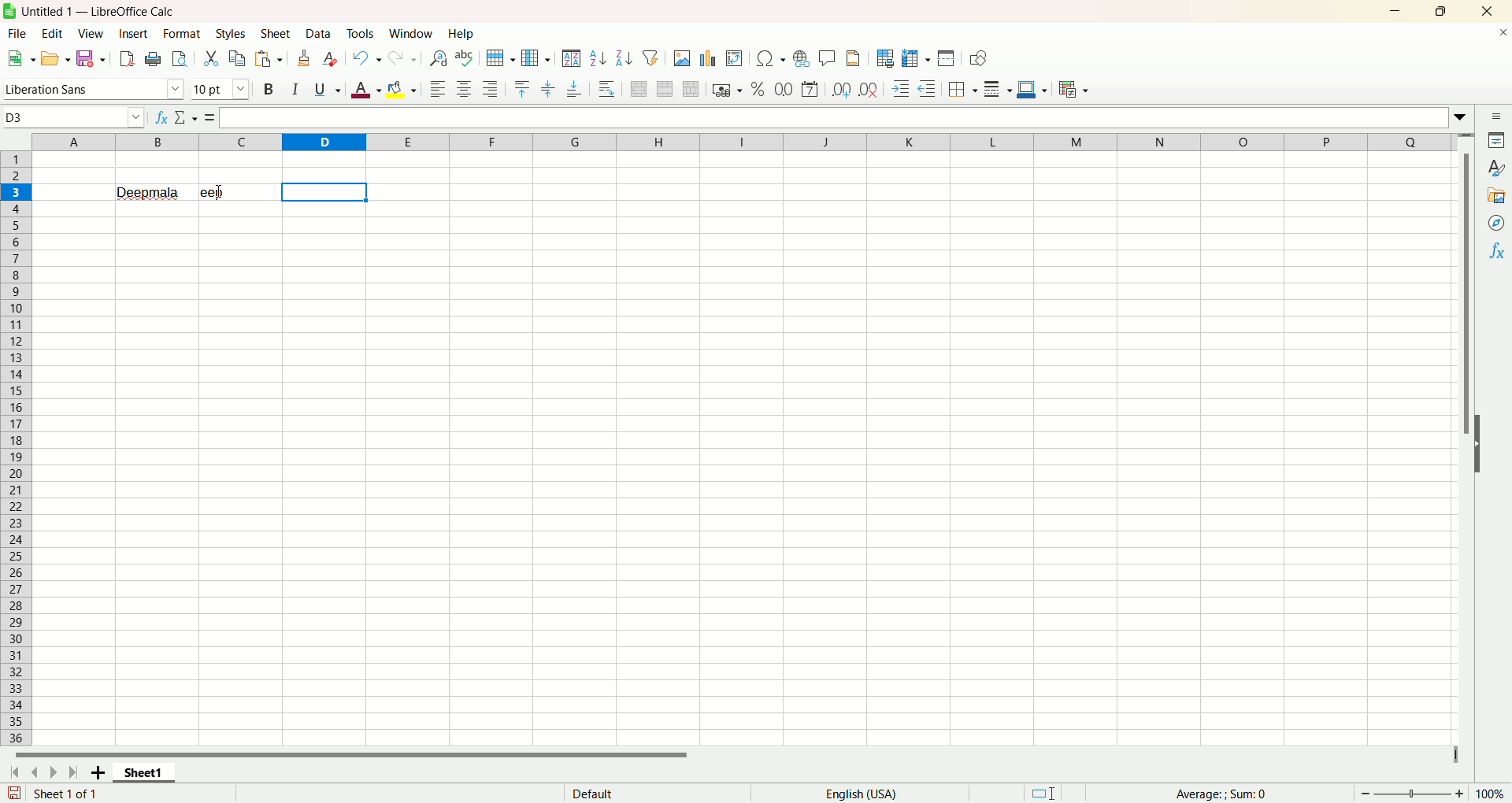 The height and width of the screenshot is (803, 1512). I want to click on select function, so click(187, 117).